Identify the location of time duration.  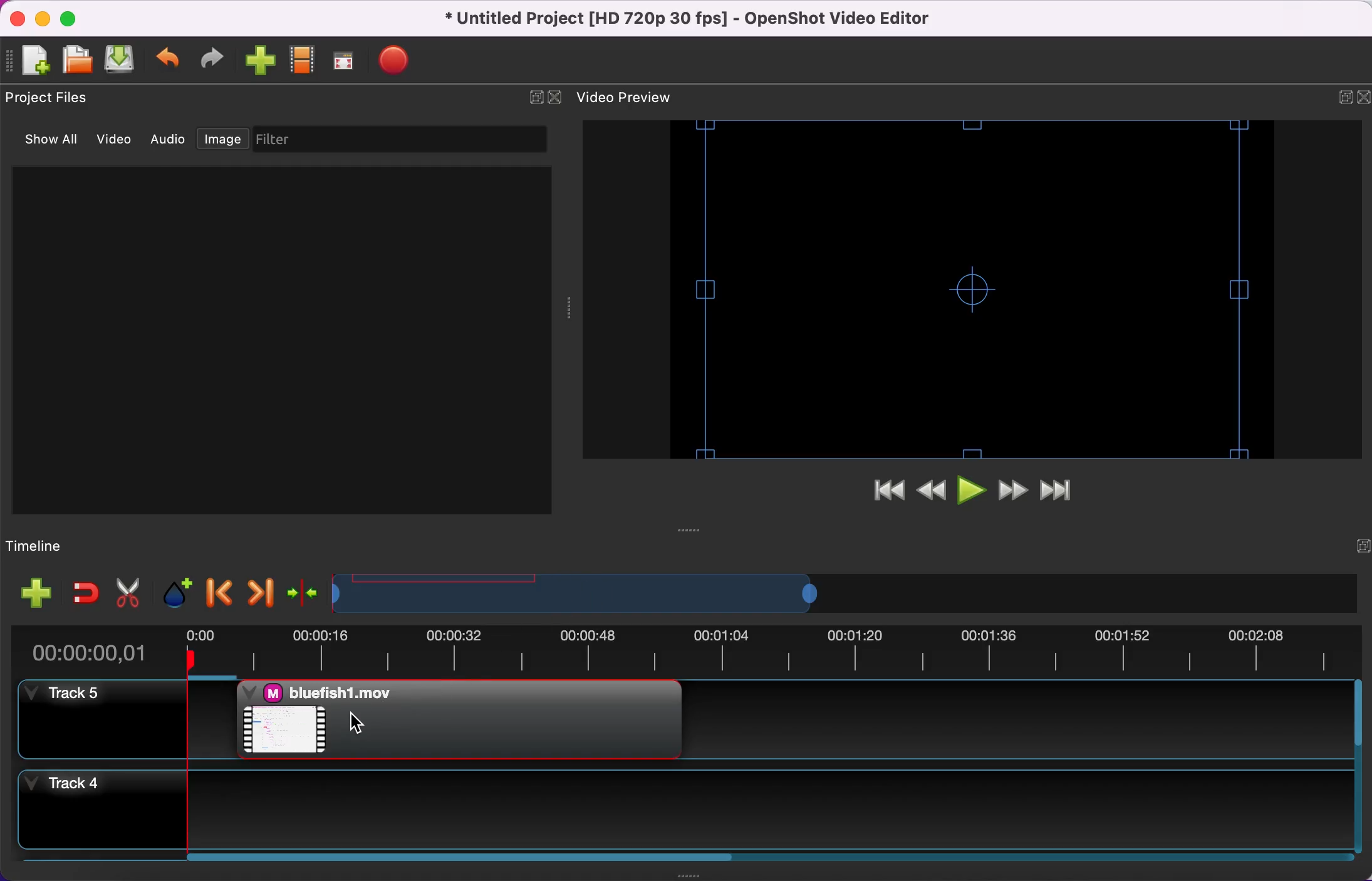
(687, 653).